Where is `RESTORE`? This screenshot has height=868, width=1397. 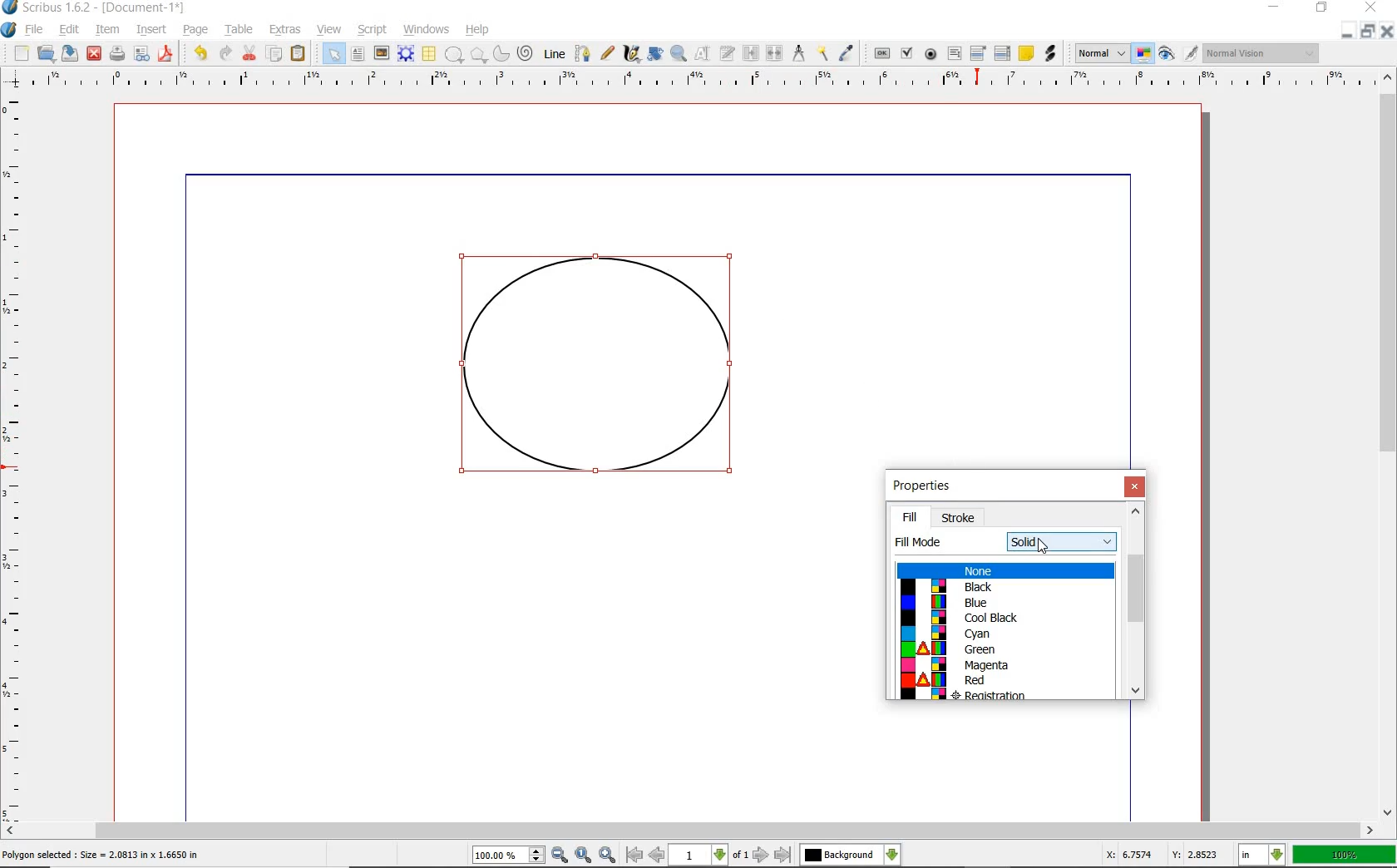
RESTORE is located at coordinates (1368, 32).